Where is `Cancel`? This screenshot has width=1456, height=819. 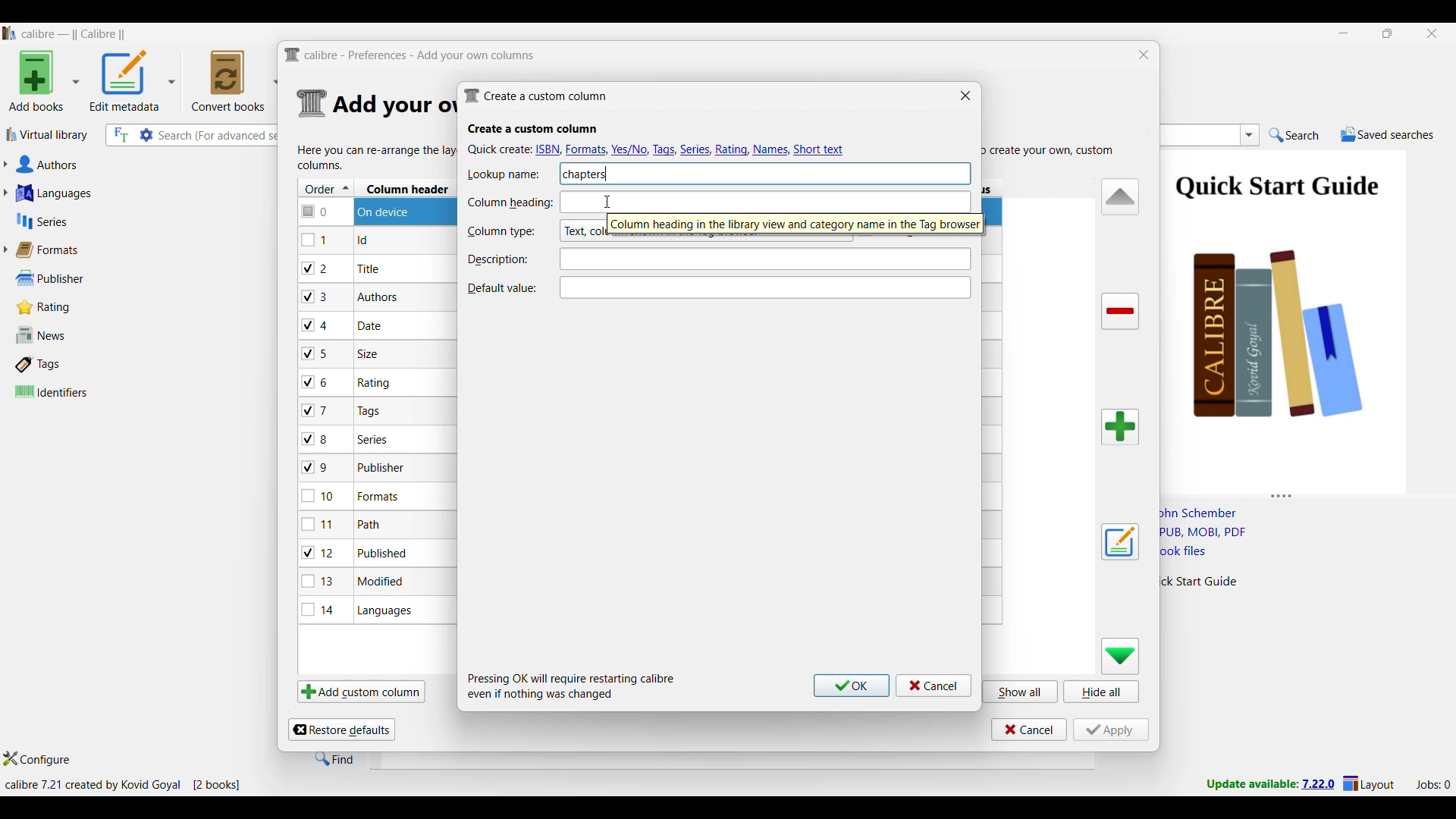 Cancel is located at coordinates (1029, 730).